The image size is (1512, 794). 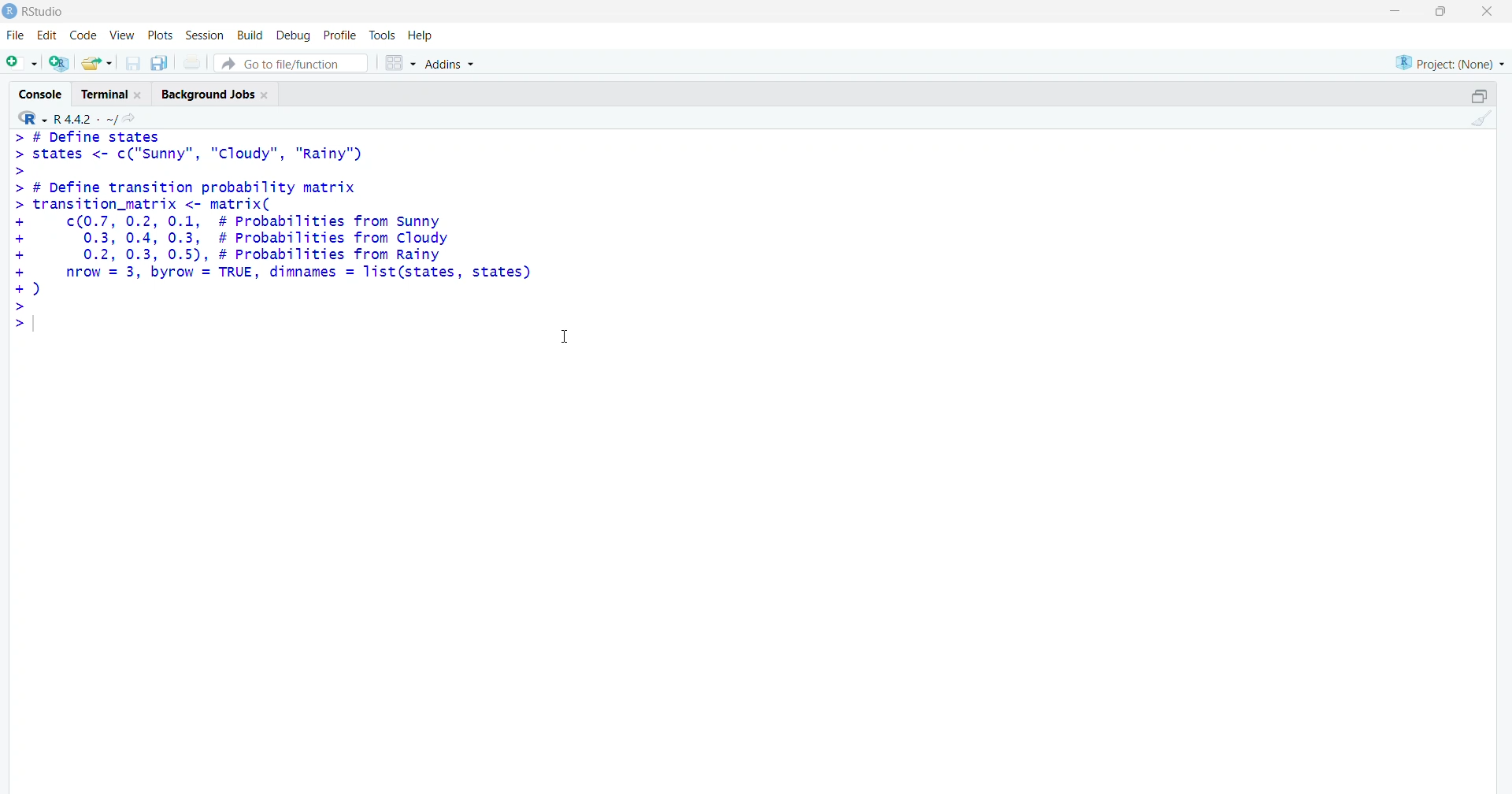 I want to click on go to file/function, so click(x=290, y=64).